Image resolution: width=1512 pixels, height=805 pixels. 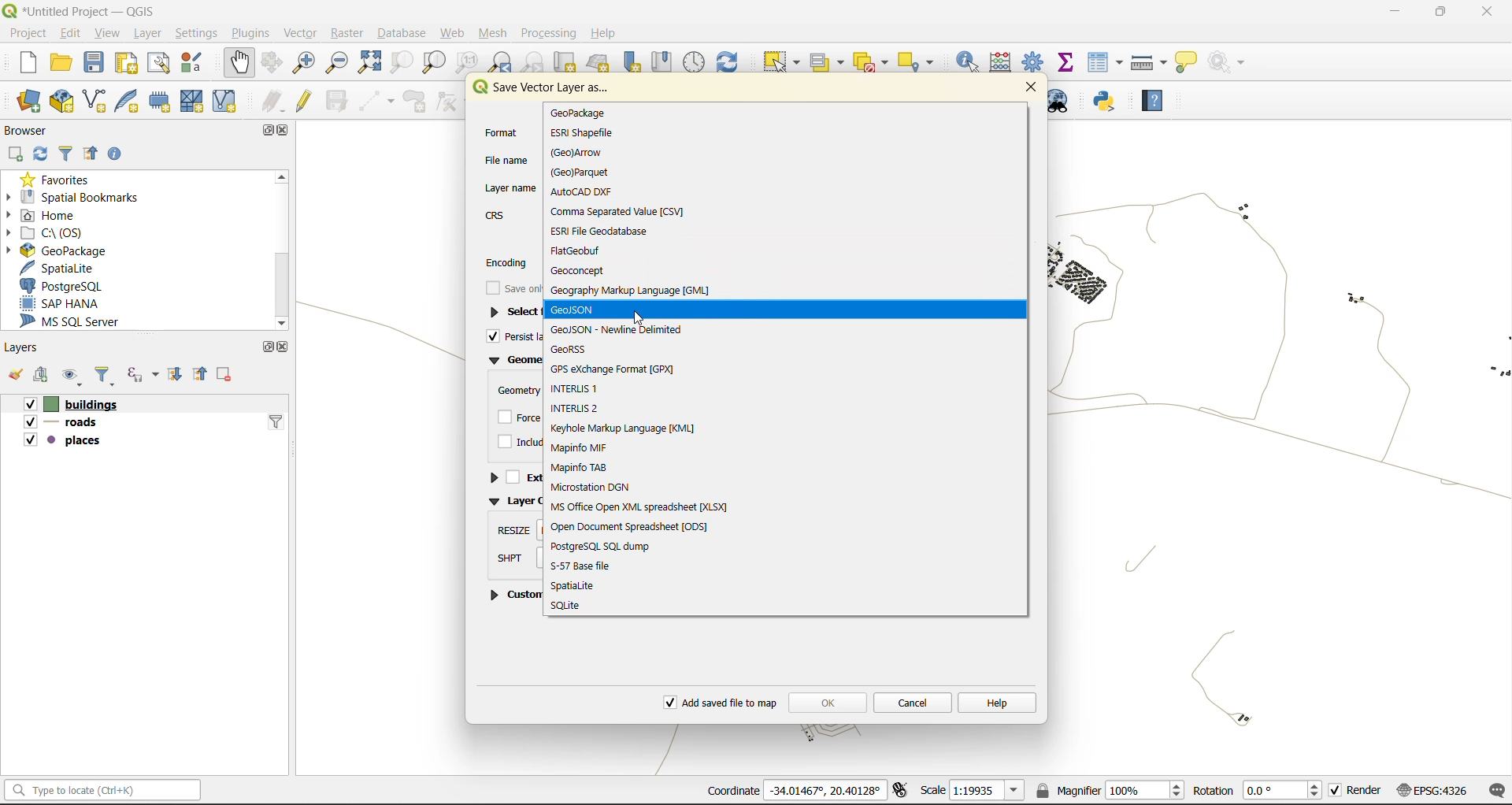 What do you see at coordinates (566, 61) in the screenshot?
I see `cut` at bounding box center [566, 61].